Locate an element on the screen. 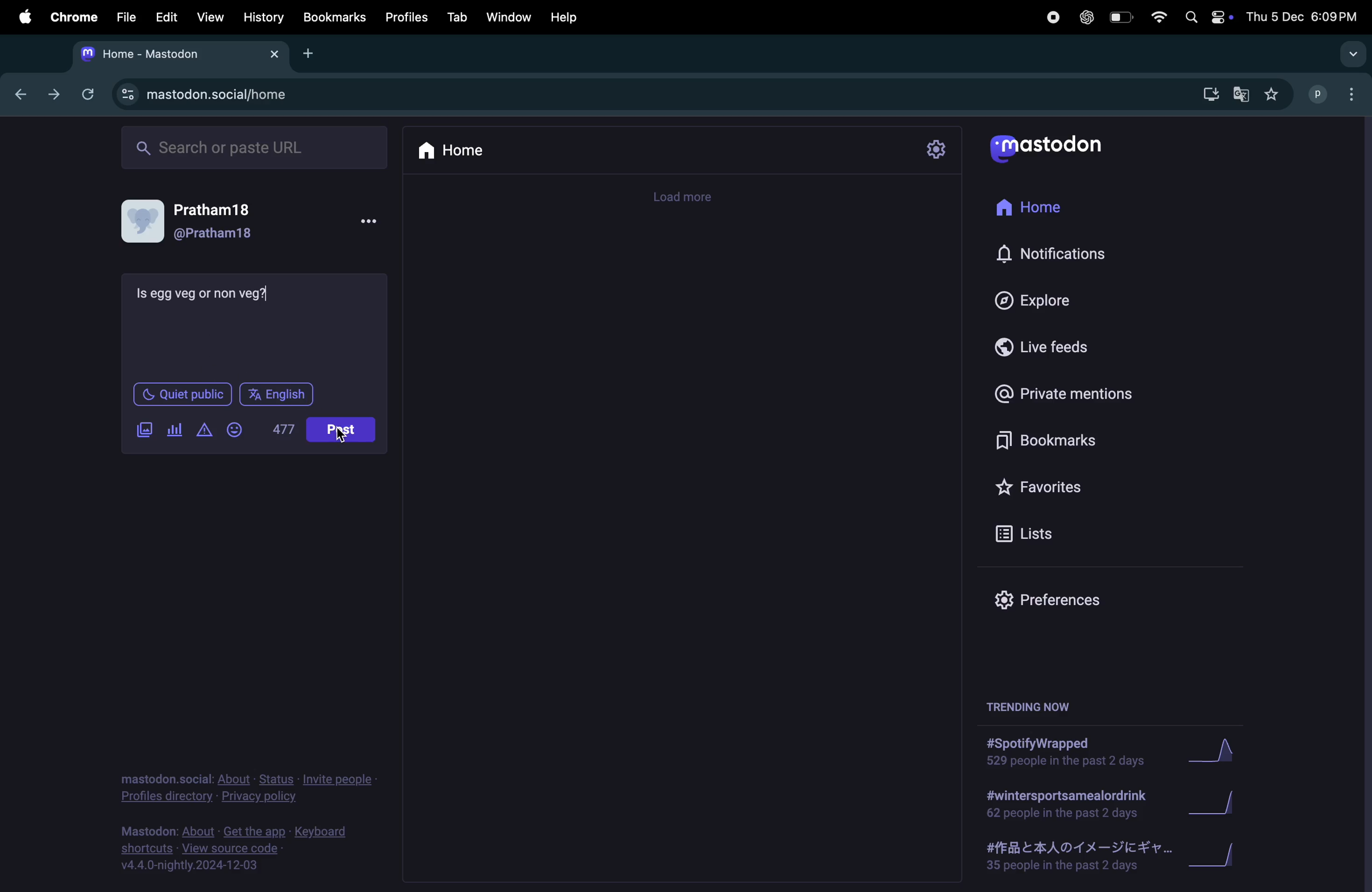 The height and width of the screenshot is (892, 1372). forward is located at coordinates (54, 95).